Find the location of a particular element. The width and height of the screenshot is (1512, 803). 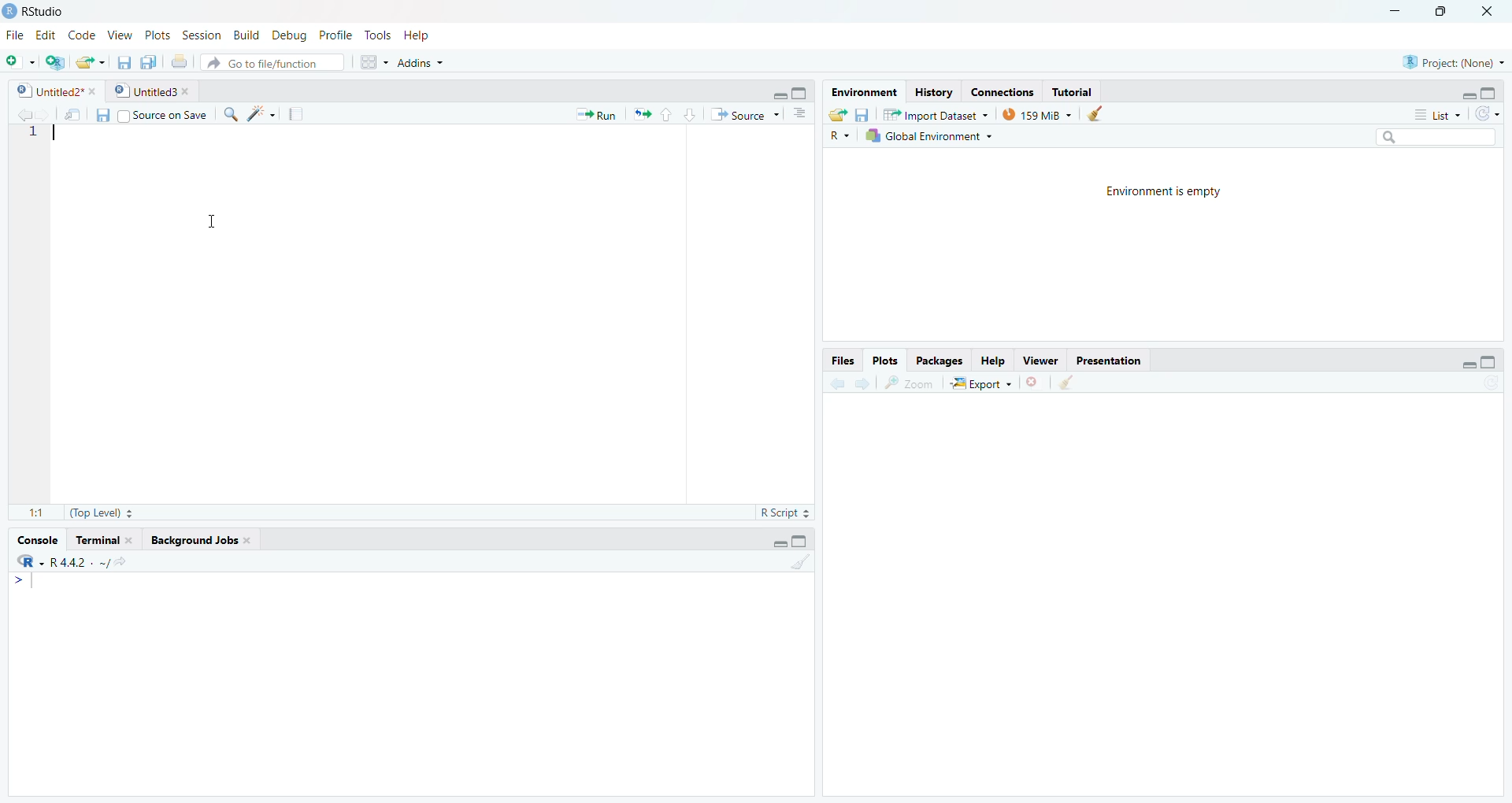

Go to file/function is located at coordinates (271, 65).